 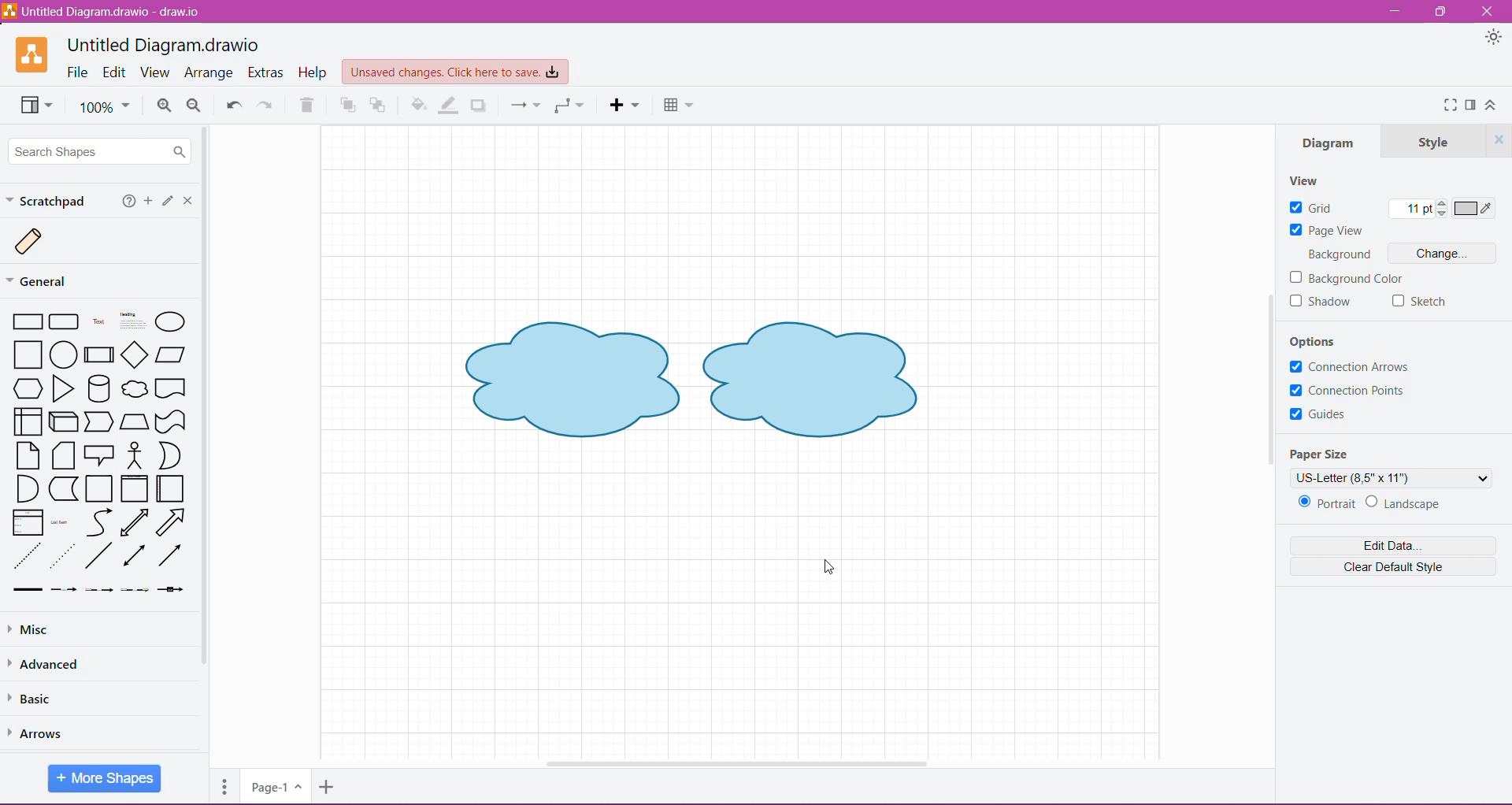 I want to click on Zoom In, so click(x=162, y=106).